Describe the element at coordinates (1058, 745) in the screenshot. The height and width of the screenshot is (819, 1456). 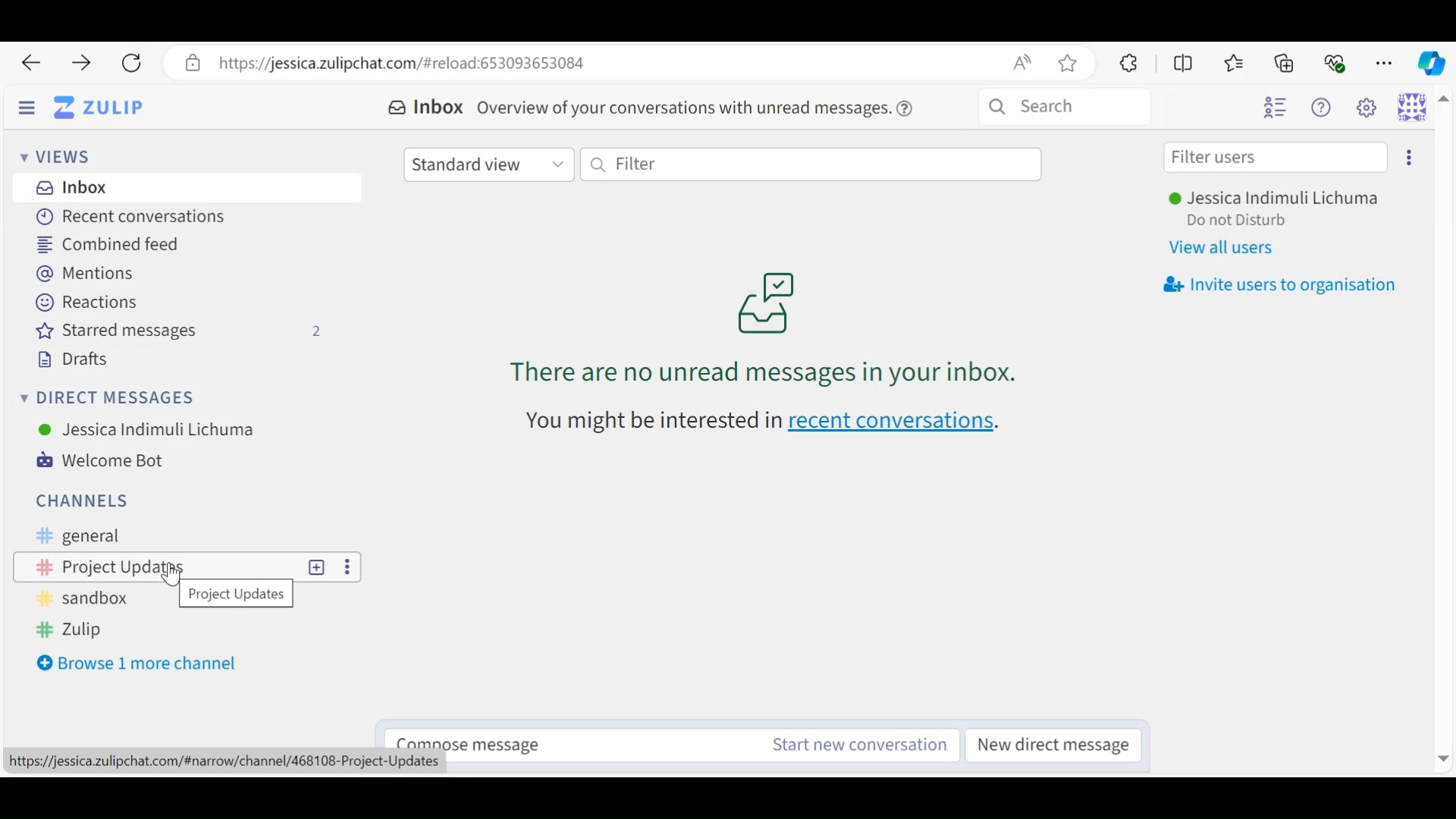
I see `New direct message` at that location.